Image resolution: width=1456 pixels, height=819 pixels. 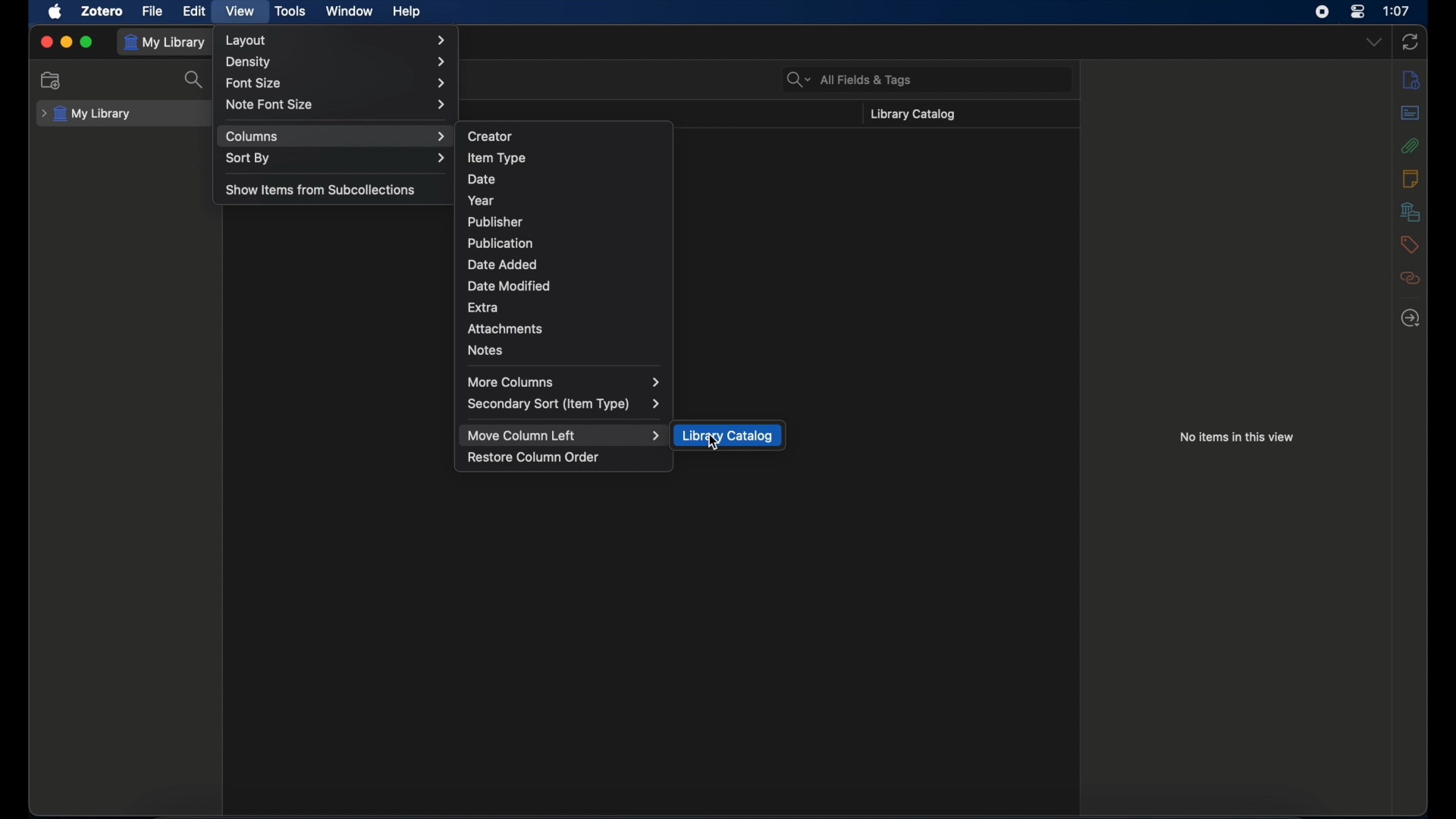 What do you see at coordinates (196, 11) in the screenshot?
I see `edit` at bounding box center [196, 11].